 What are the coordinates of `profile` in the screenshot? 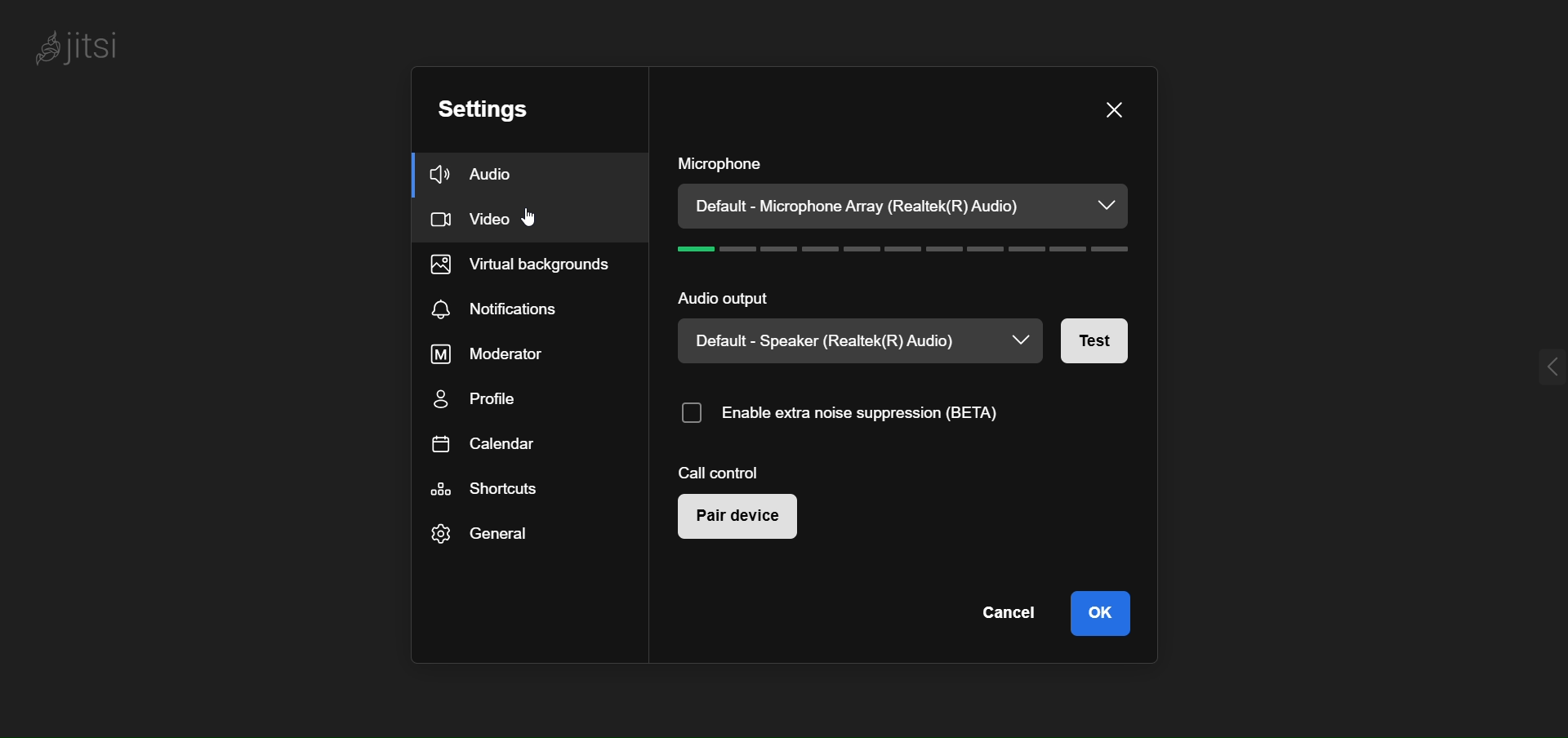 It's located at (475, 402).